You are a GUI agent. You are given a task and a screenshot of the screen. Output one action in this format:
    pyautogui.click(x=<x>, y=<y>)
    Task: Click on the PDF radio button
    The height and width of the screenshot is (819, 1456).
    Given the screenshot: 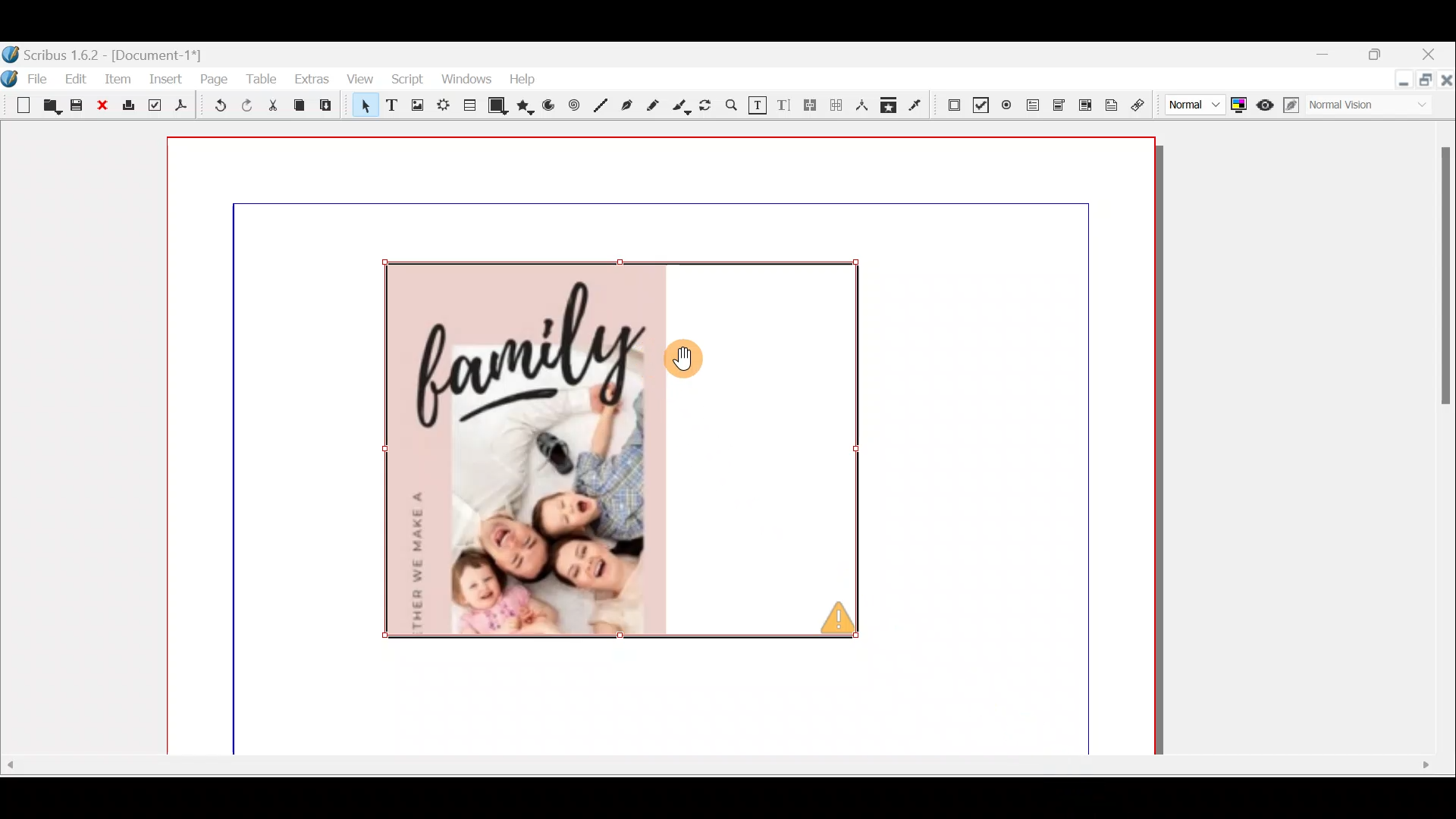 What is the action you would take?
    pyautogui.click(x=1009, y=105)
    